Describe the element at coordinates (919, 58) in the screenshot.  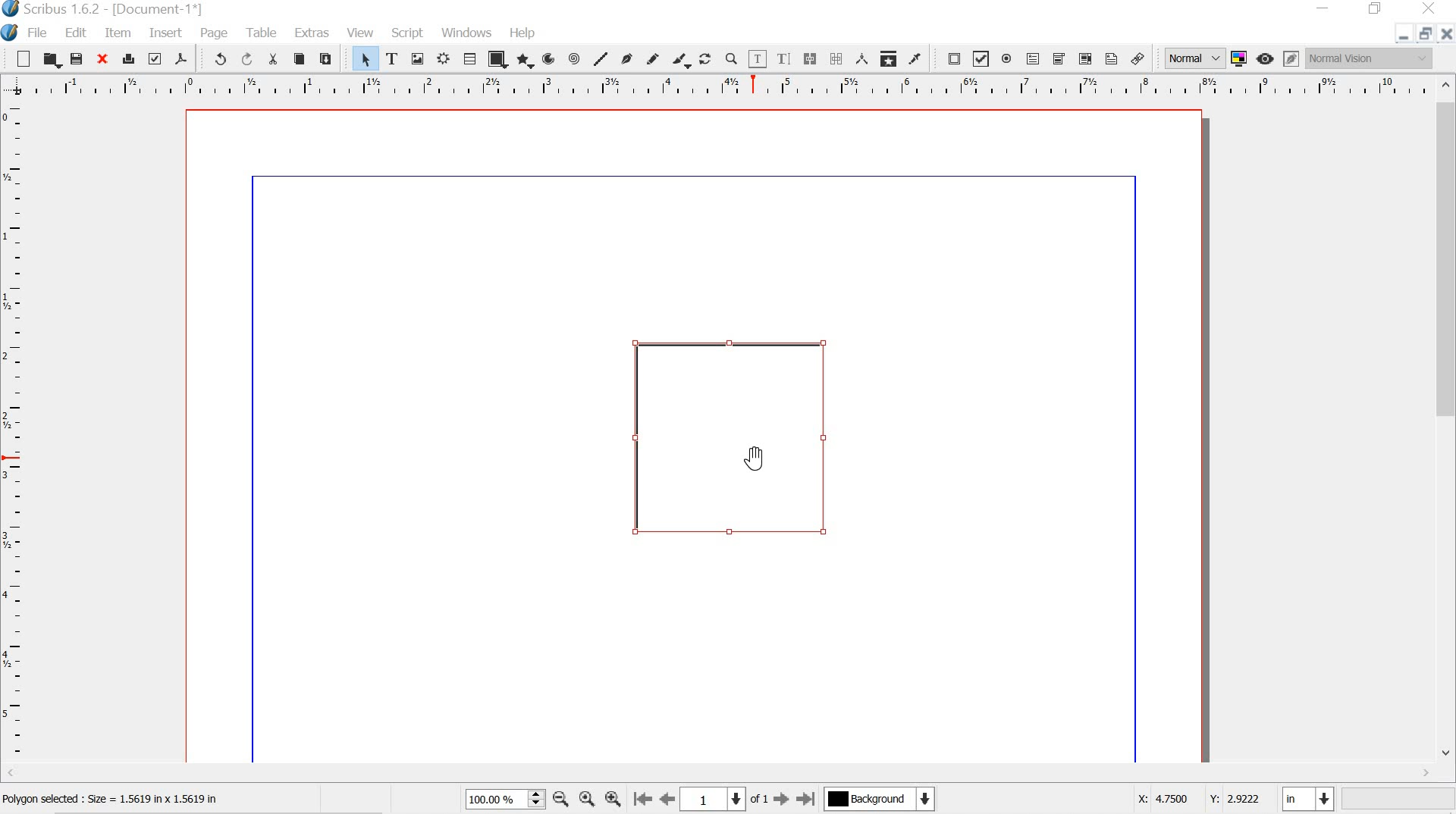
I see `eye dropper` at that location.